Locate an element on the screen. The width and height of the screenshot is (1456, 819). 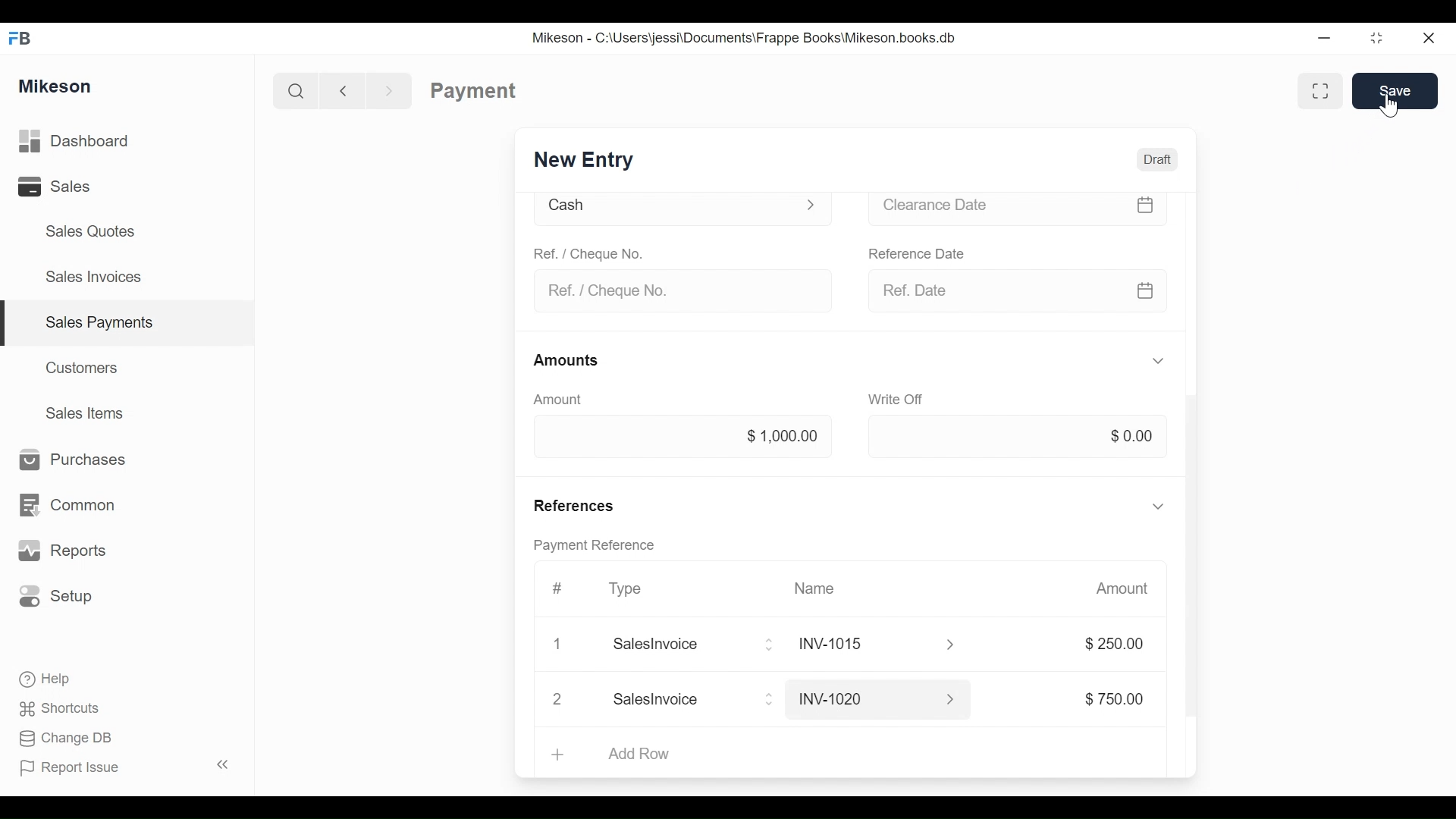
Hide is located at coordinates (1159, 504).